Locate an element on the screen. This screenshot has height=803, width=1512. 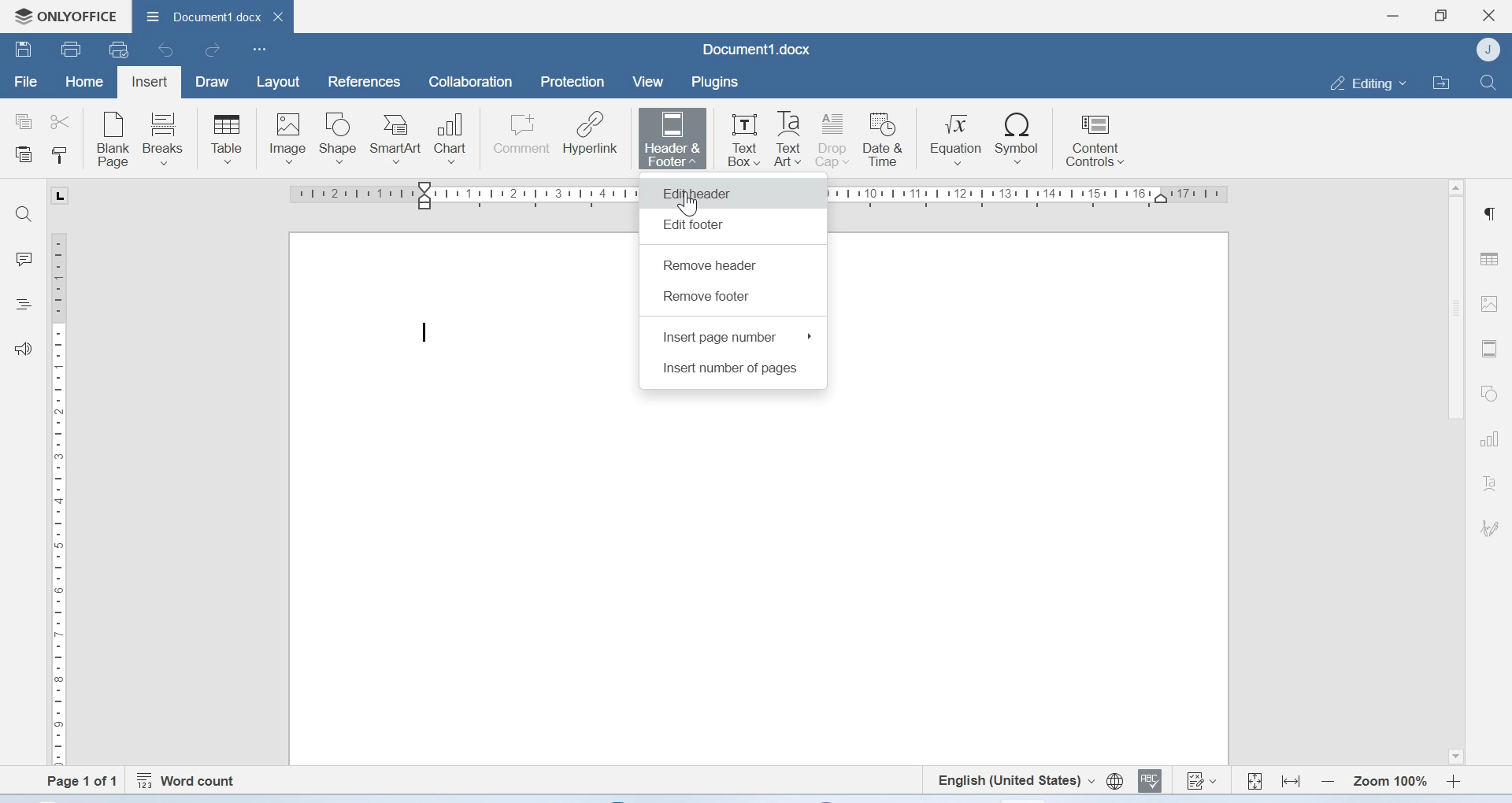
Insert number of pages is located at coordinates (732, 371).